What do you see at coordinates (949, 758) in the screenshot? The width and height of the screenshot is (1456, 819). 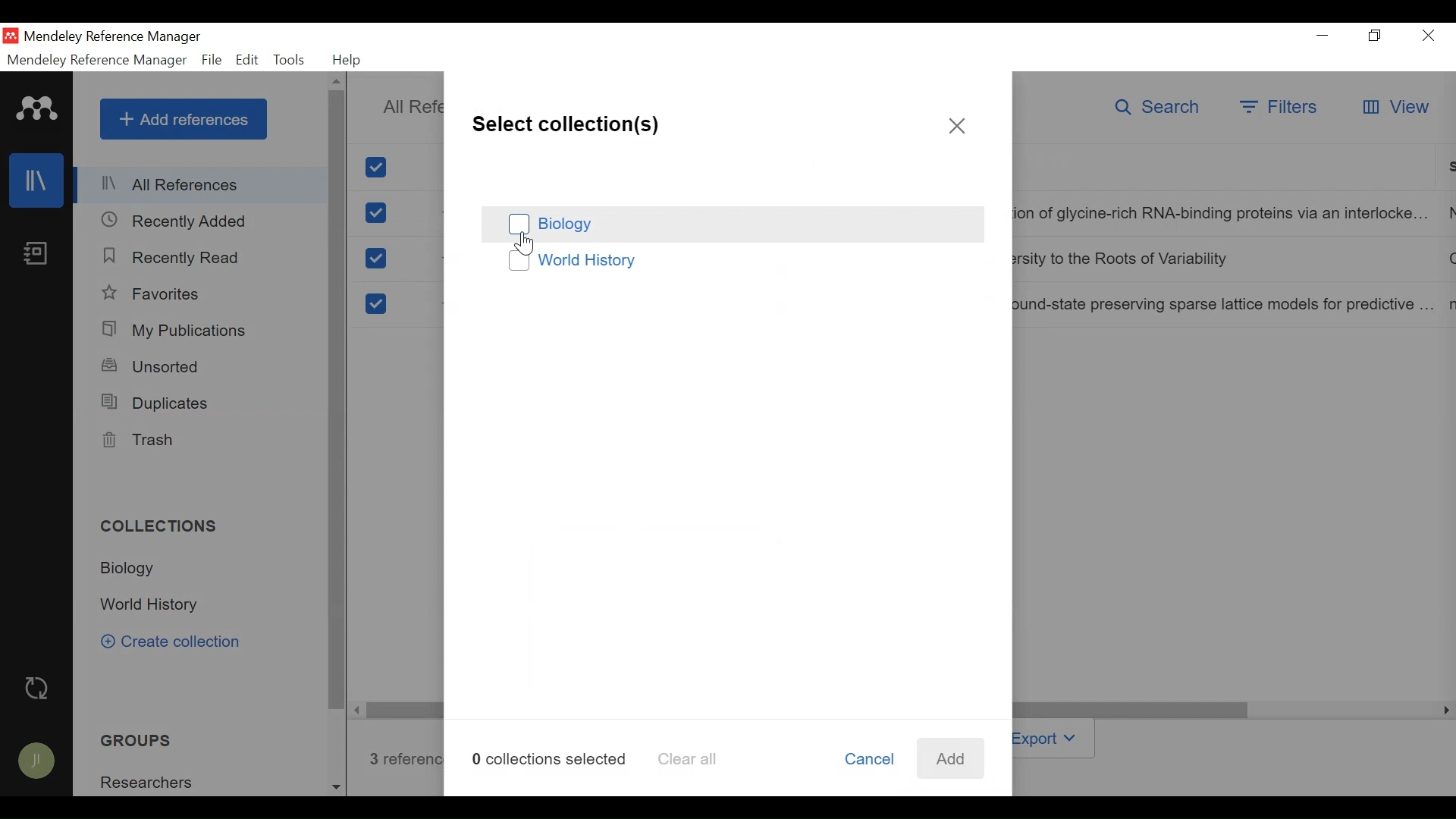 I see `Add` at bounding box center [949, 758].